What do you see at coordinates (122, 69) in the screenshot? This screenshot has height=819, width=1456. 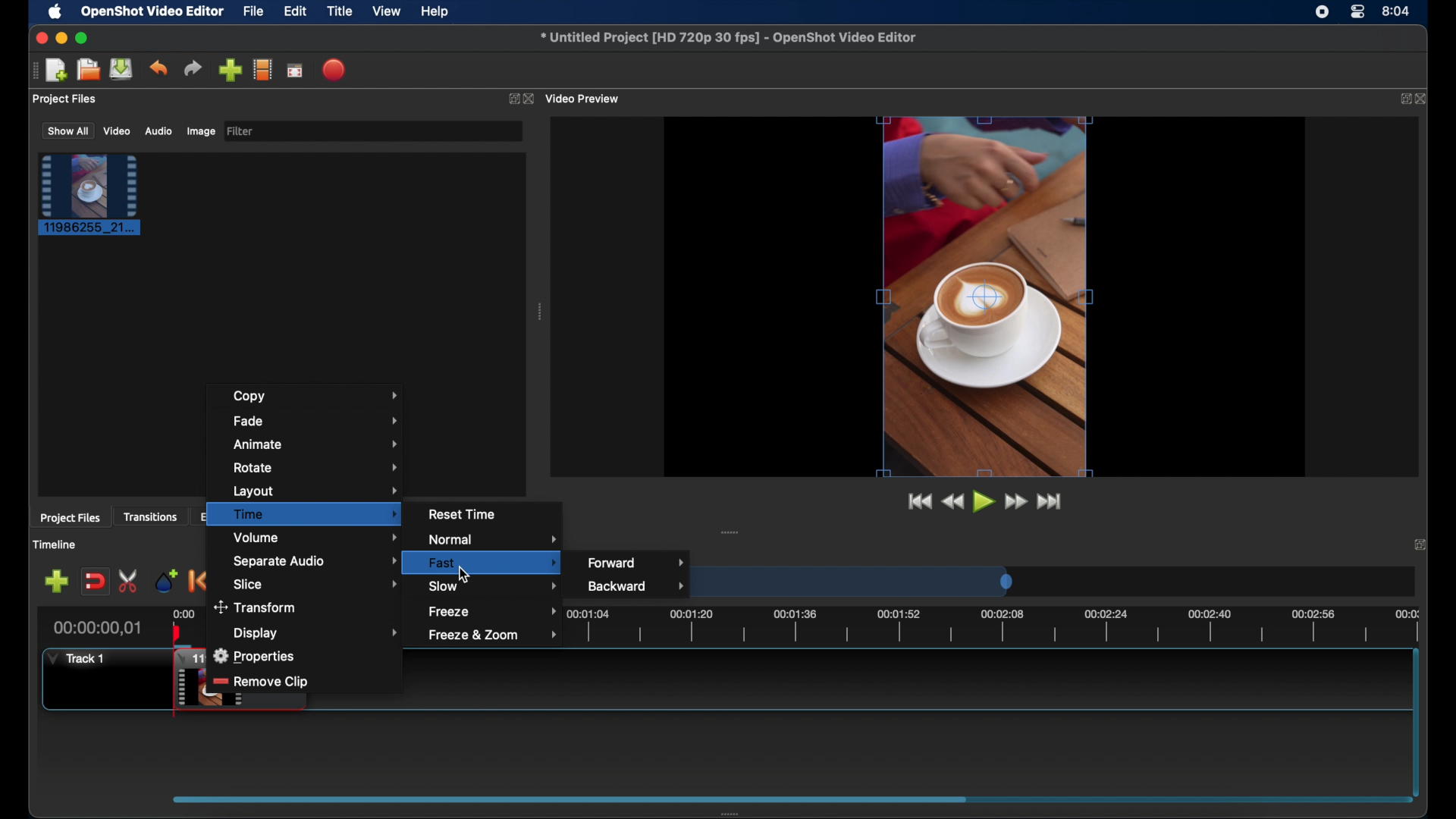 I see `save project` at bounding box center [122, 69].